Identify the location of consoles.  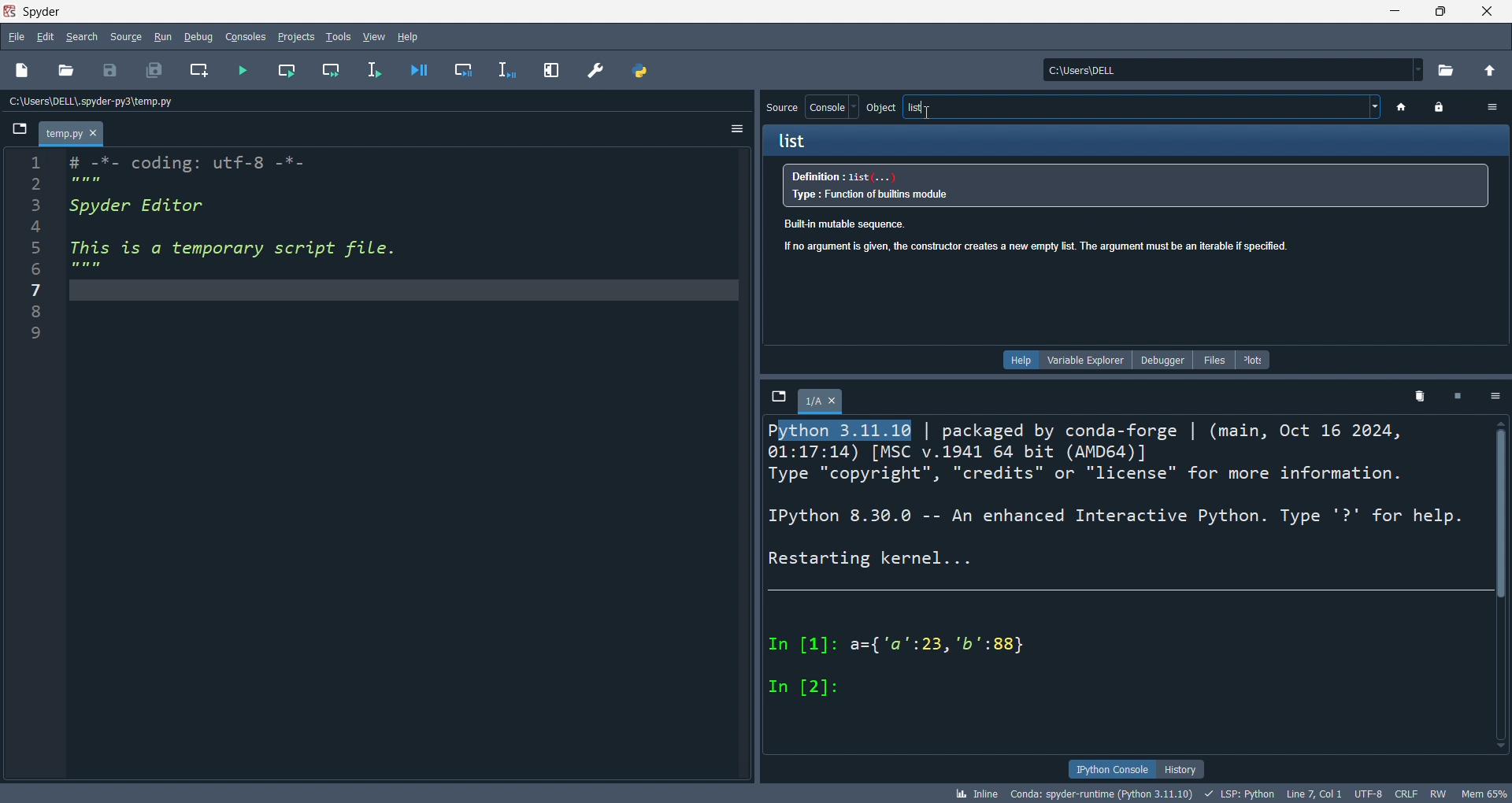
(245, 36).